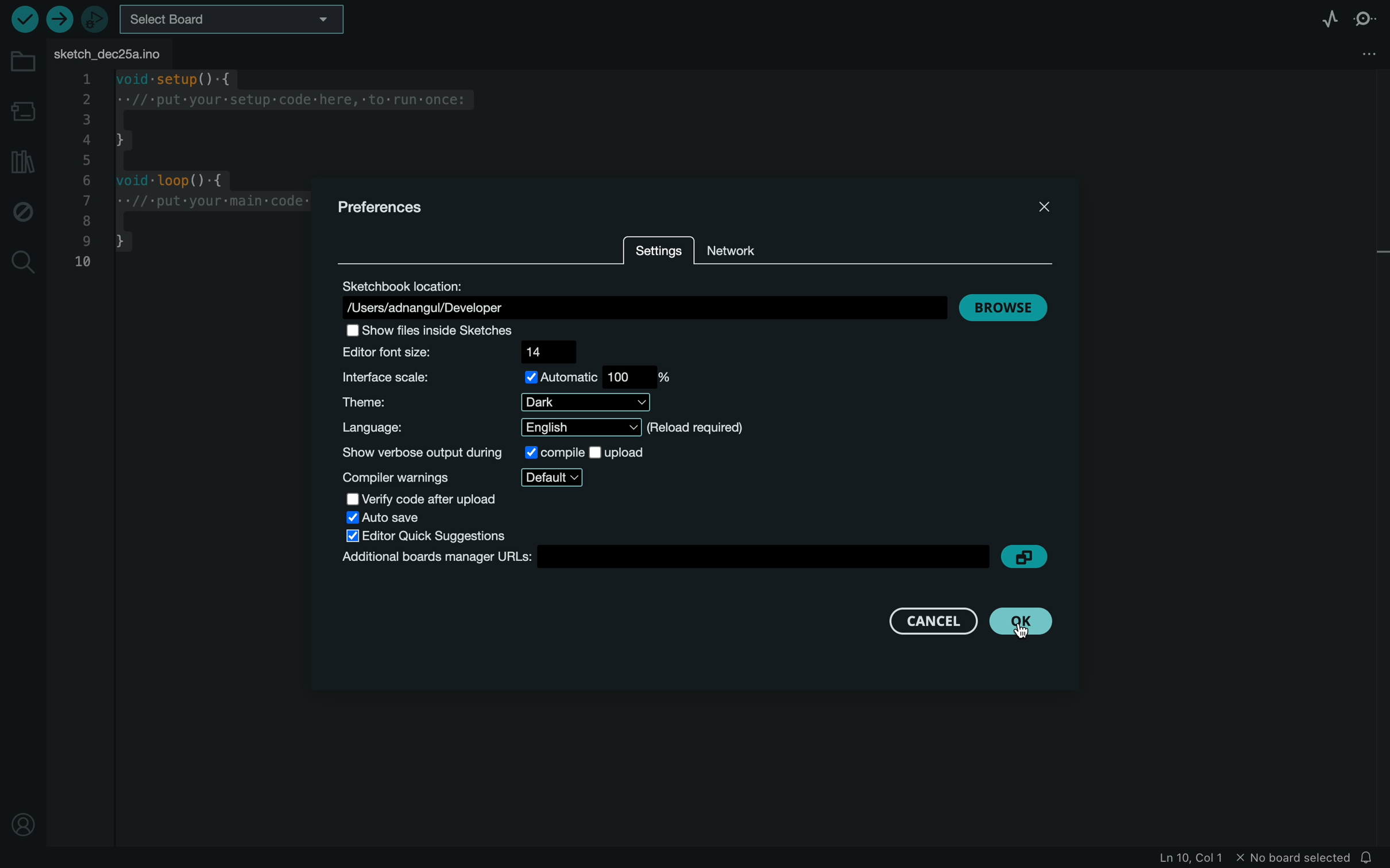 Image resolution: width=1390 pixels, height=868 pixels. Describe the element at coordinates (26, 20) in the screenshot. I see `verify` at that location.